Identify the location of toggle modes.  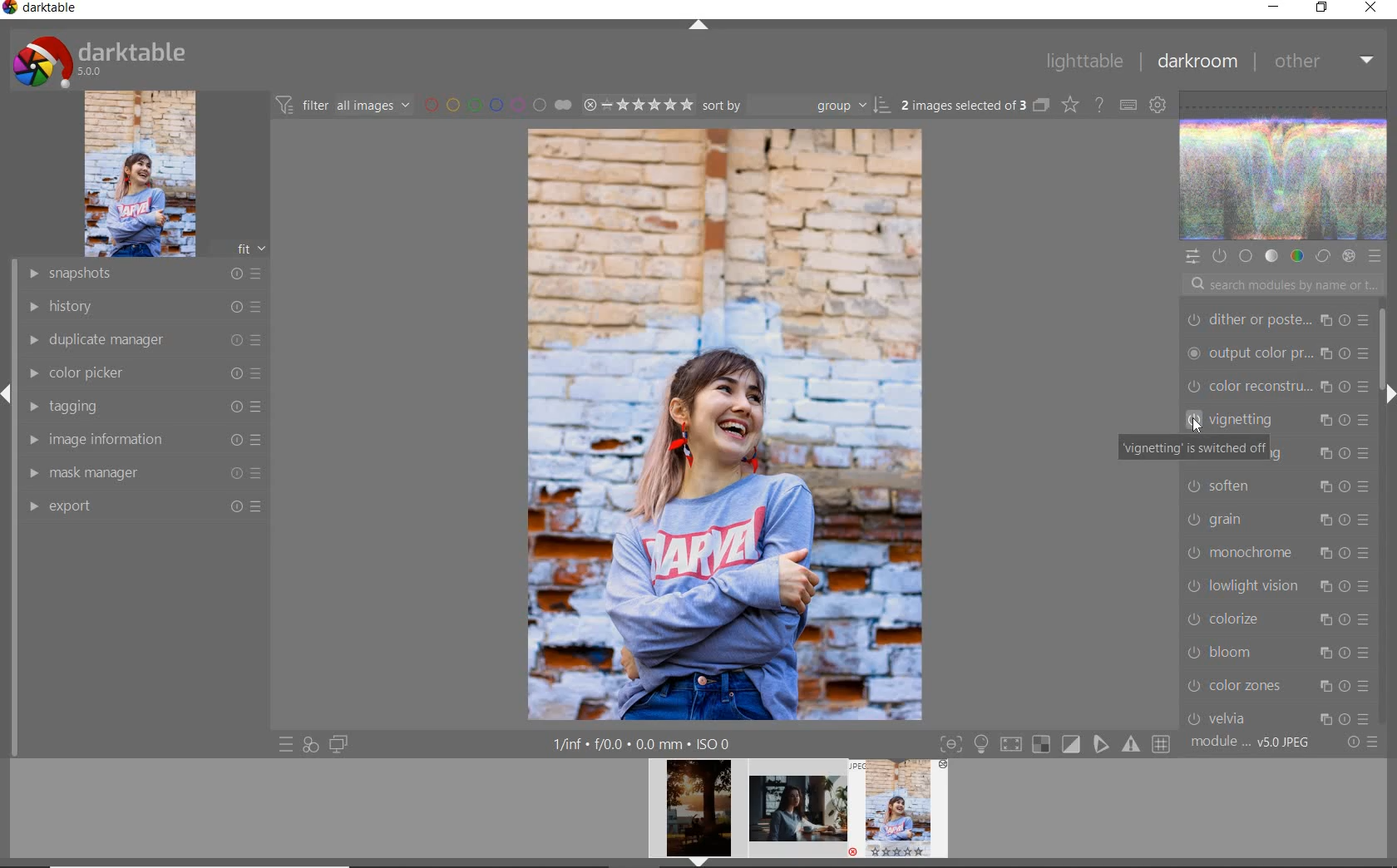
(1055, 742).